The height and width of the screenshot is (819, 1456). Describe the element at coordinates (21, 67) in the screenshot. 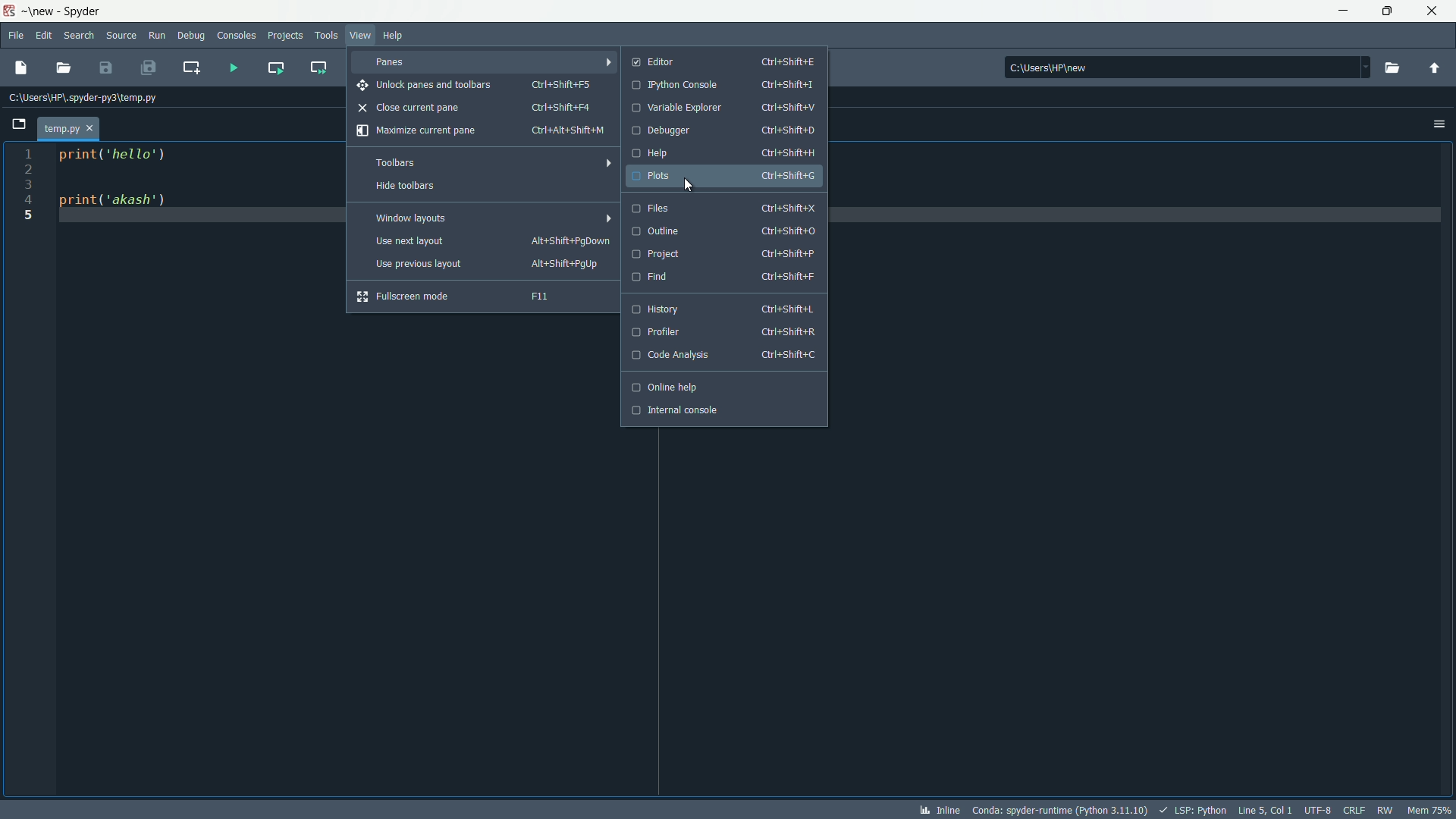

I see `new file` at that location.